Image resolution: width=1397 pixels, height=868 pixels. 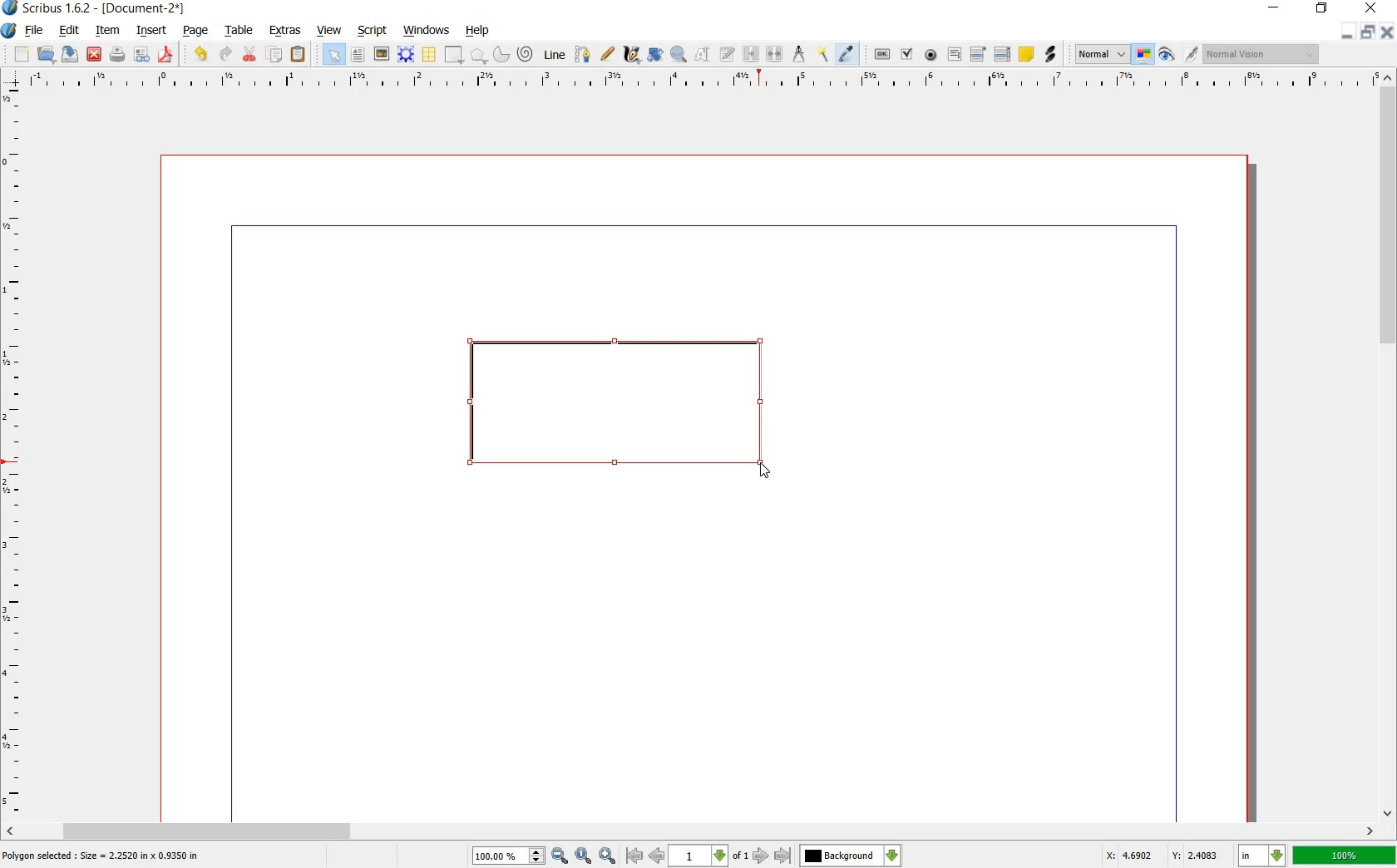 What do you see at coordinates (907, 54) in the screenshot?
I see `PDF CHECK BOX` at bounding box center [907, 54].